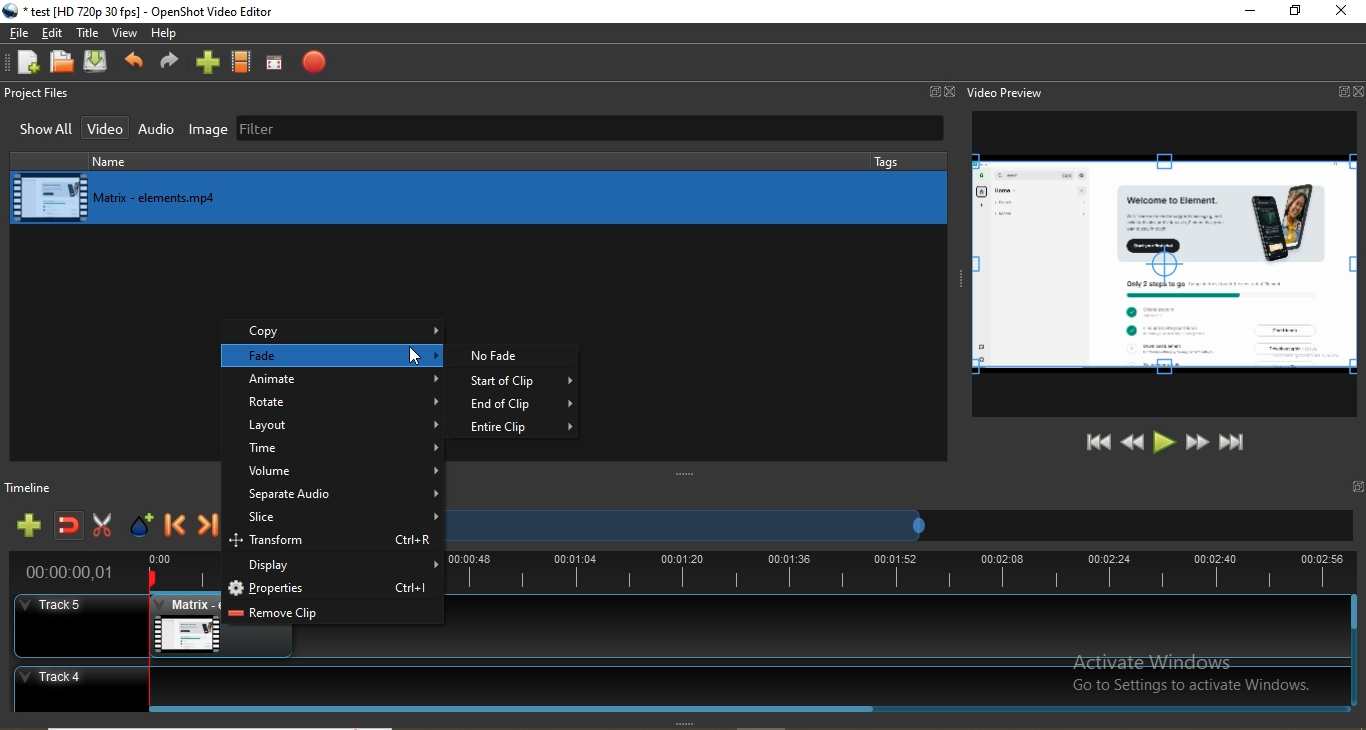  What do you see at coordinates (335, 330) in the screenshot?
I see `copy` at bounding box center [335, 330].